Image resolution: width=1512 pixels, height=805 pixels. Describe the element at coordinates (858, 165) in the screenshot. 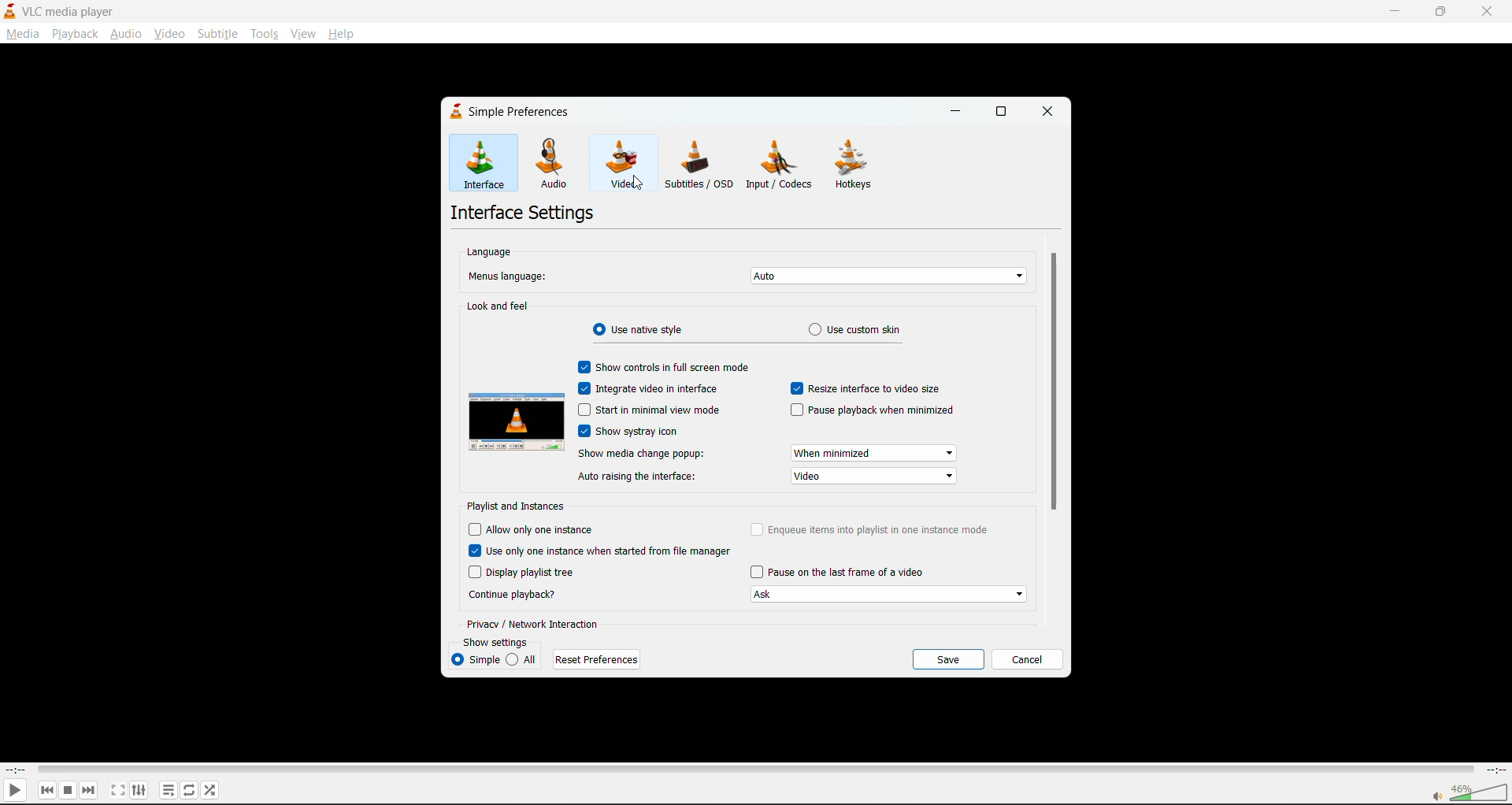

I see `hotkeys` at that location.